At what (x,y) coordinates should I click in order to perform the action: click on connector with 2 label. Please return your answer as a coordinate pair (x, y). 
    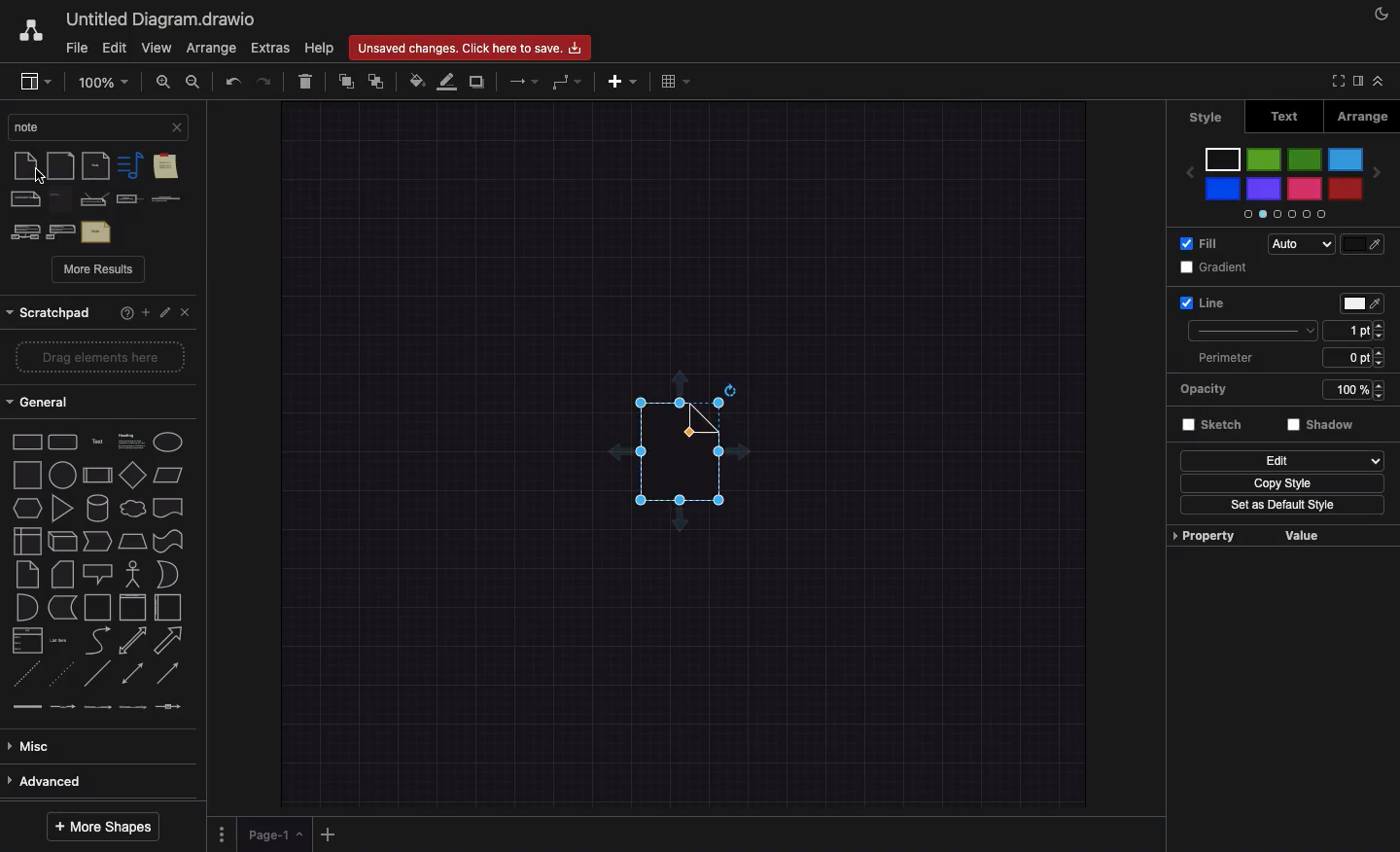
    Looking at the image, I should click on (100, 713).